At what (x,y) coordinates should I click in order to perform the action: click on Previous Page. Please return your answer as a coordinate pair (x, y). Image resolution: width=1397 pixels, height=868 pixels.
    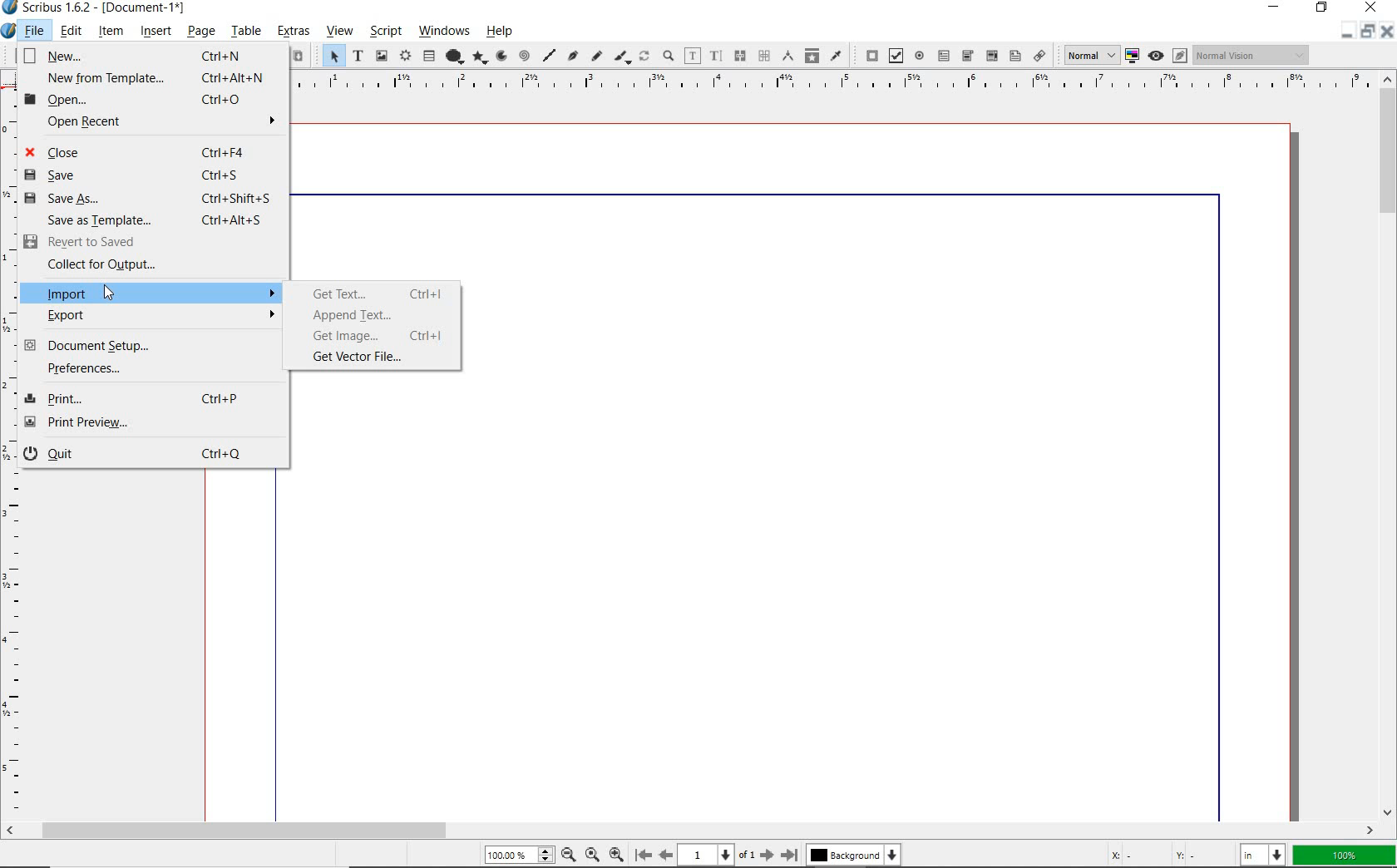
    Looking at the image, I should click on (664, 855).